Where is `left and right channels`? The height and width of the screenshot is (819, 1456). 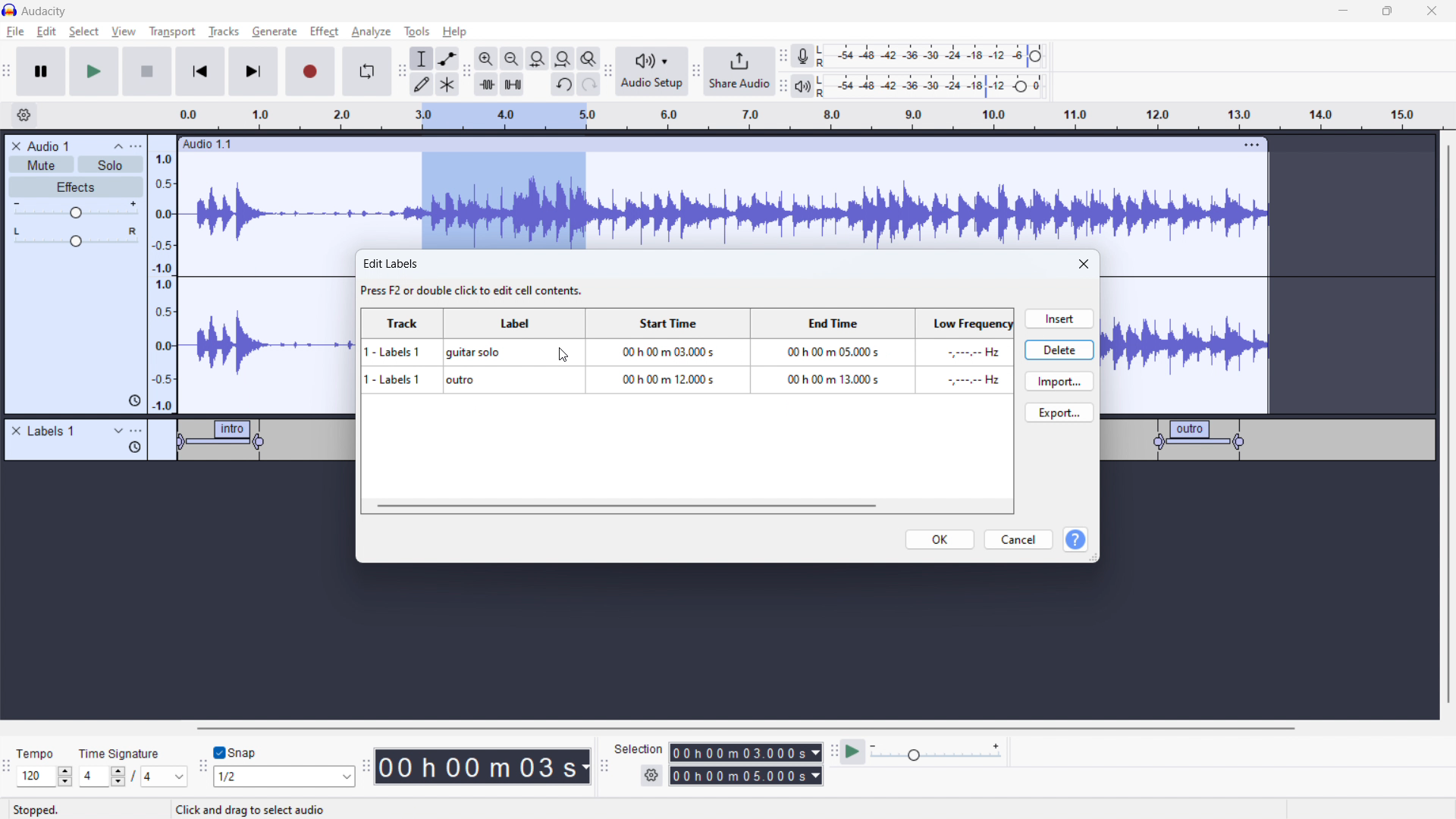
left and right channels is located at coordinates (824, 58).